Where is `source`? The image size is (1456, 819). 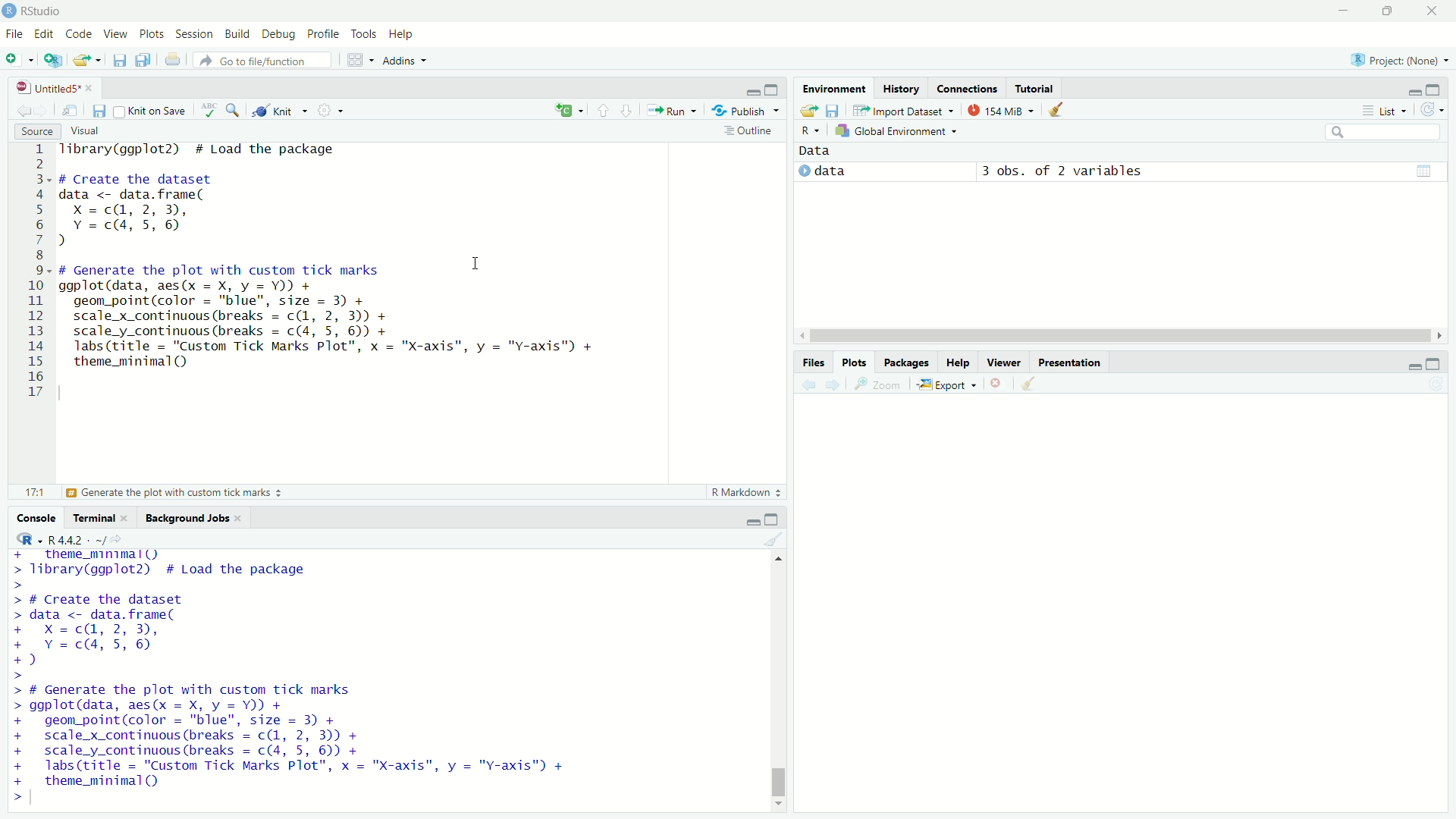
source is located at coordinates (32, 131).